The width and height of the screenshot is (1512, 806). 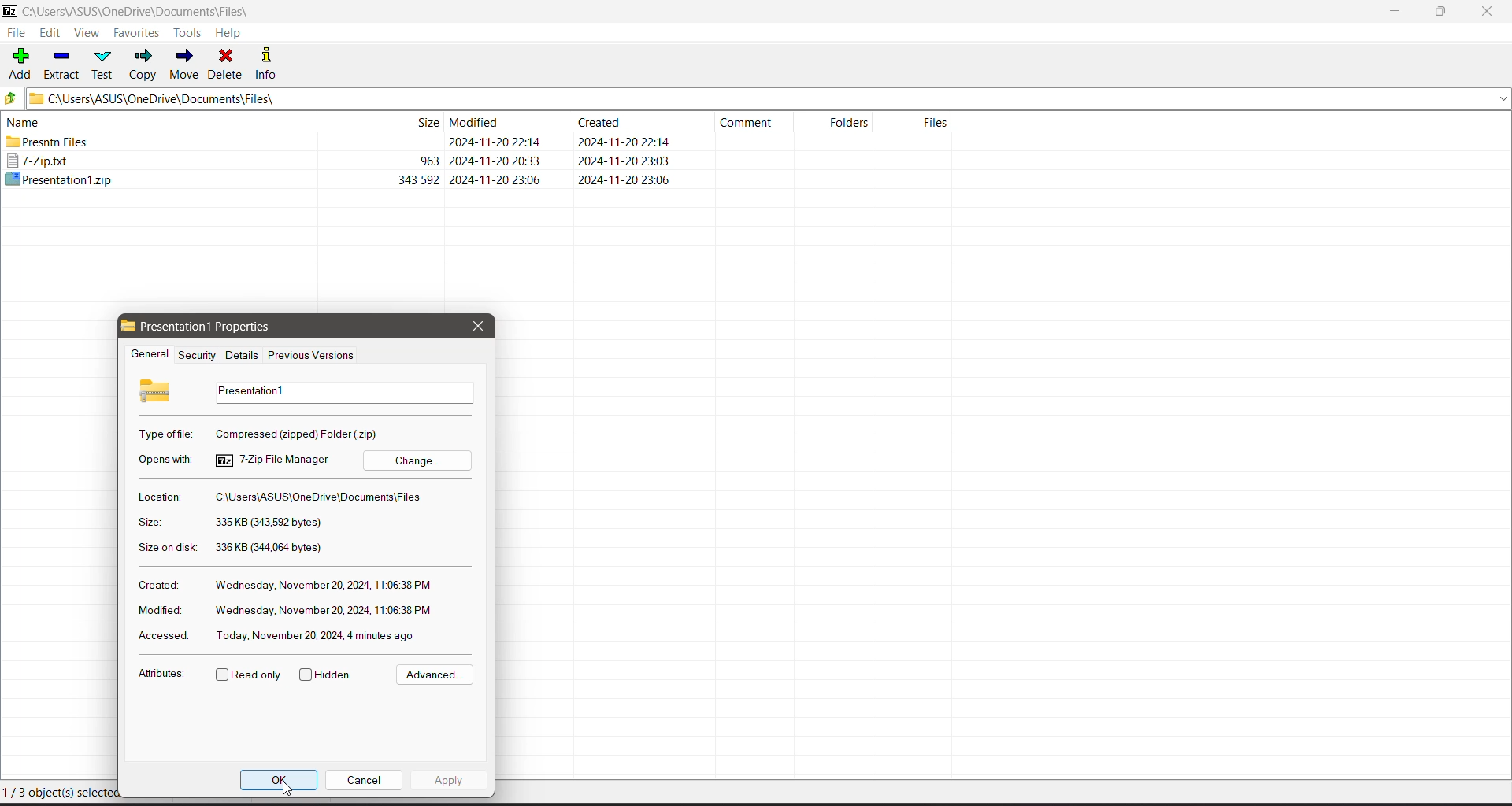 I want to click on Accessed Day, Date, Year and time, so click(x=317, y=635).